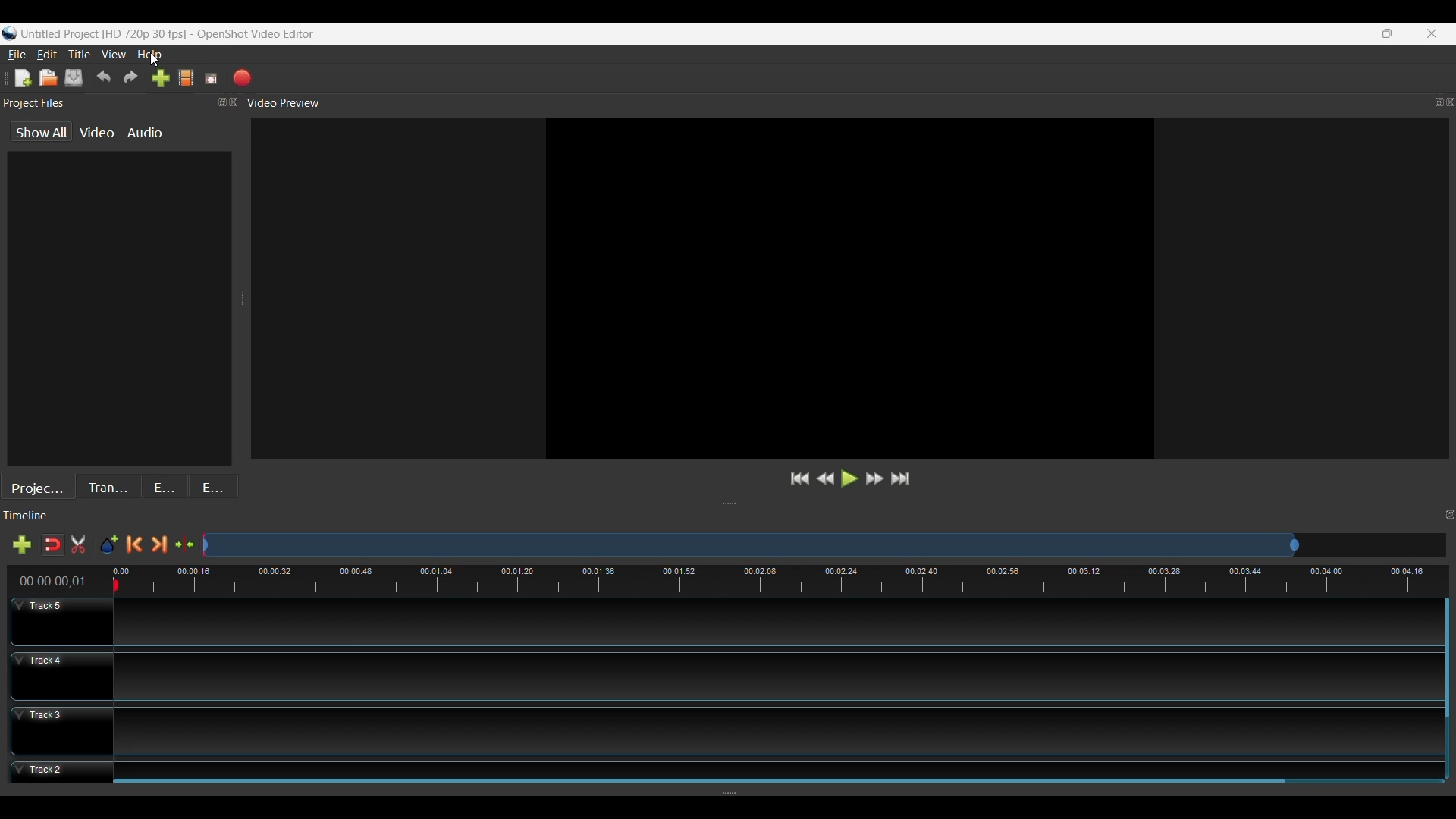  Describe the element at coordinates (210, 78) in the screenshot. I see `Full screen` at that location.